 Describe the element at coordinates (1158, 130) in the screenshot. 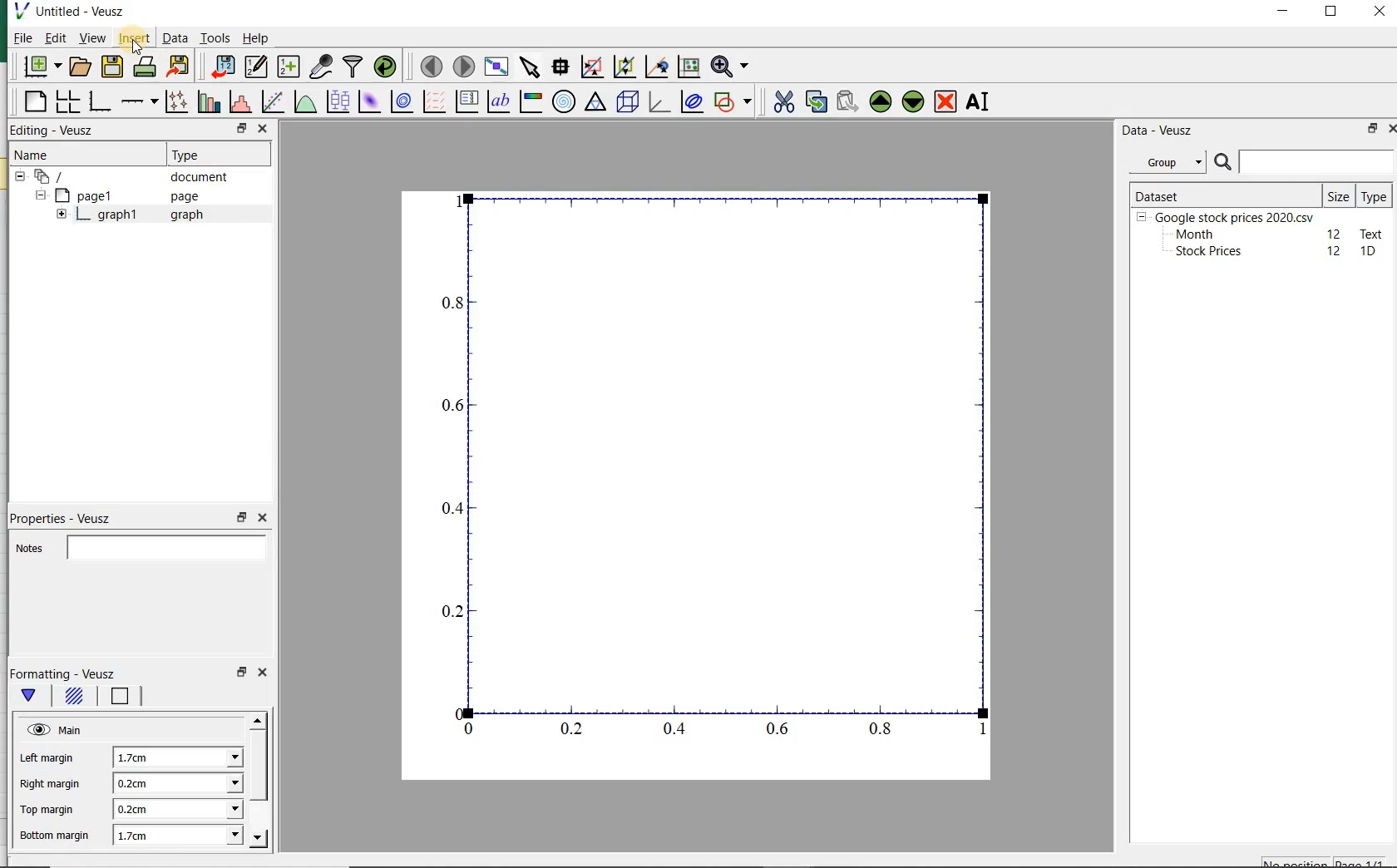

I see `Data - Veusz` at that location.